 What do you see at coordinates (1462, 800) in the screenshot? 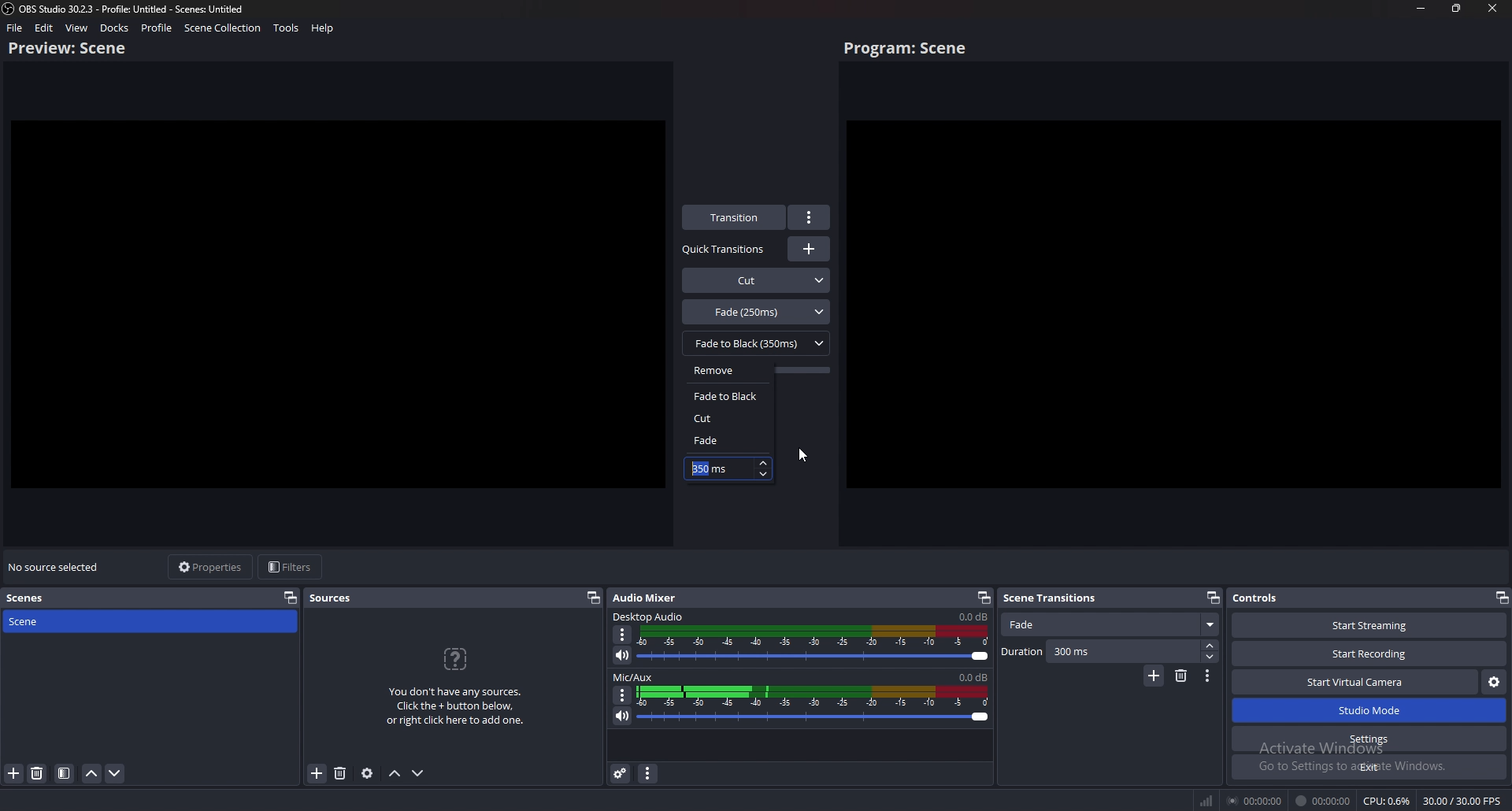
I see `30.00 / 30.00 FPS` at bounding box center [1462, 800].